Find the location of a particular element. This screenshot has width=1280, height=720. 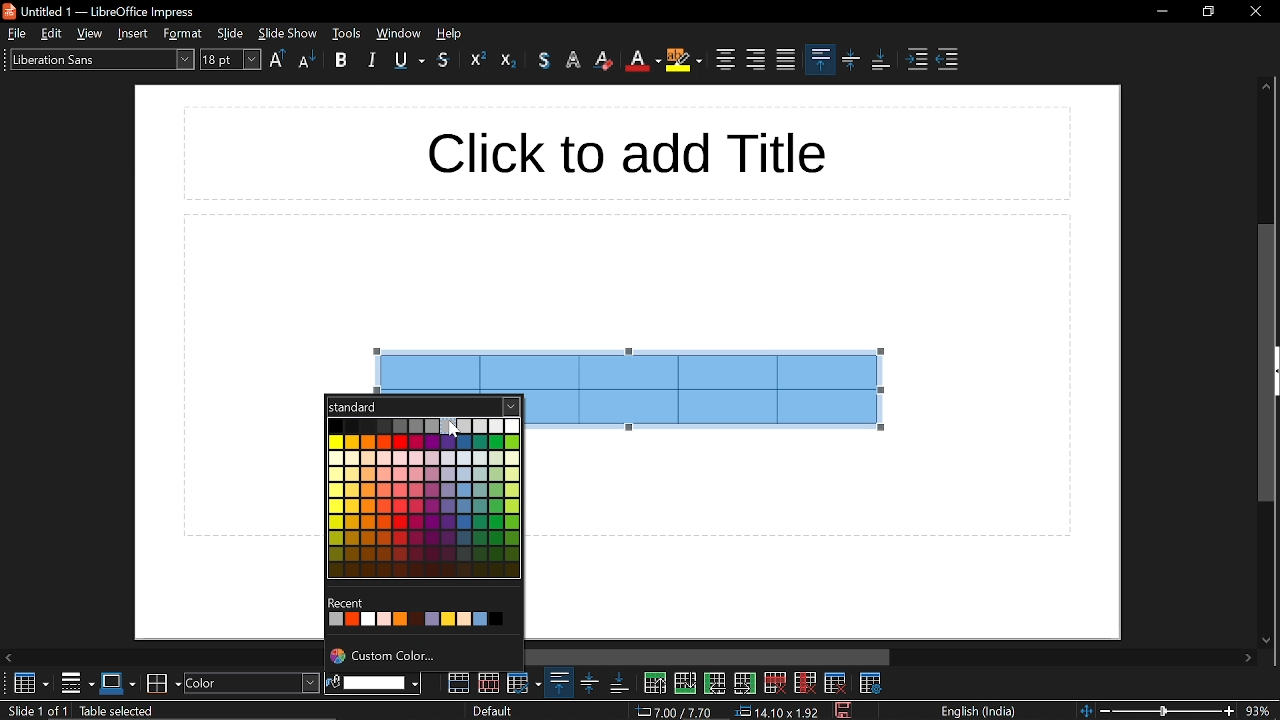

align bottom is located at coordinates (616, 683).